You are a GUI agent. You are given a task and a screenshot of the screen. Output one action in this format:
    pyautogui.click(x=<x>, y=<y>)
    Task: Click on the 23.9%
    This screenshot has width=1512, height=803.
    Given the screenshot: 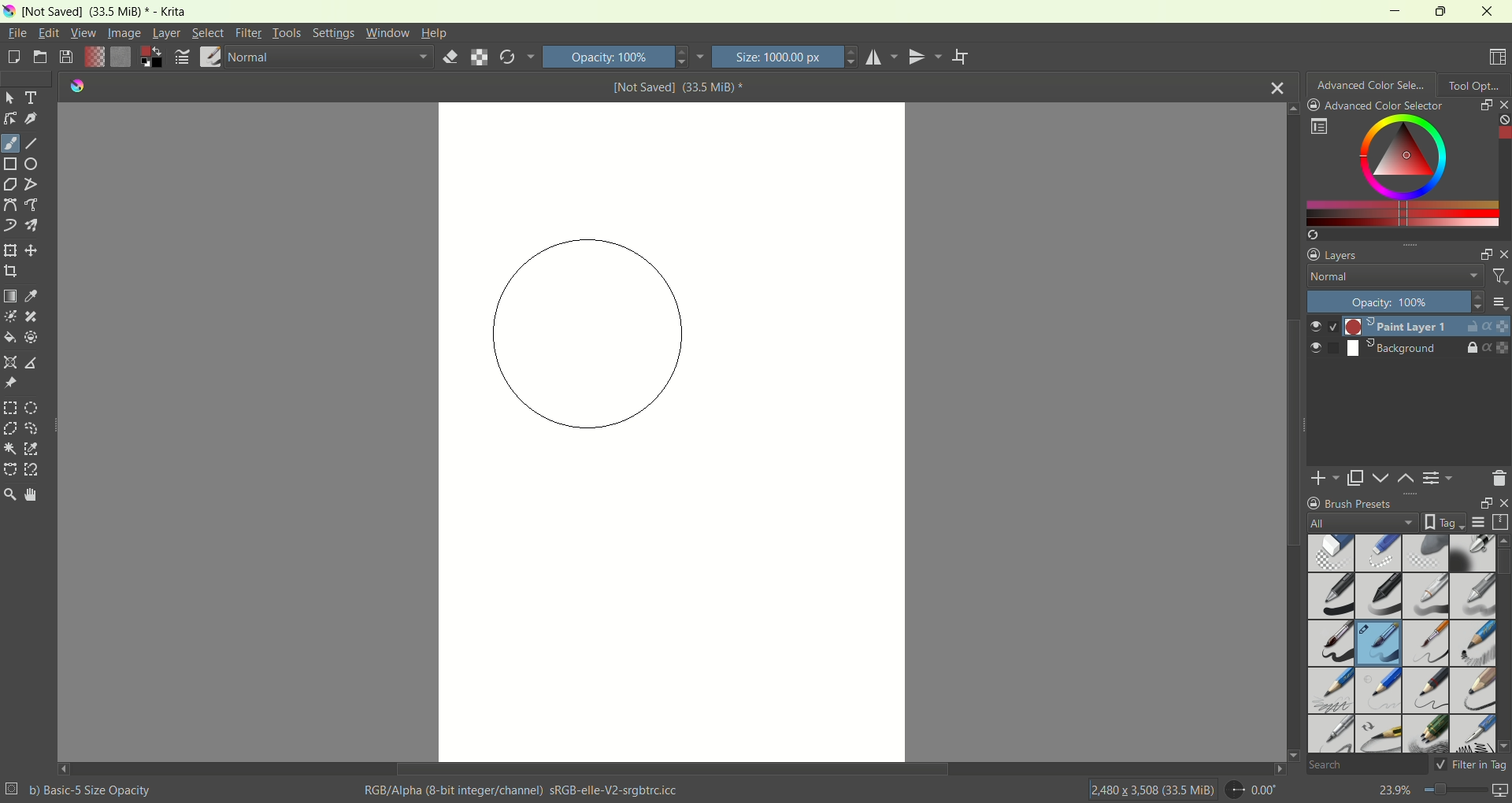 What is the action you would take?
    pyautogui.click(x=1443, y=793)
    